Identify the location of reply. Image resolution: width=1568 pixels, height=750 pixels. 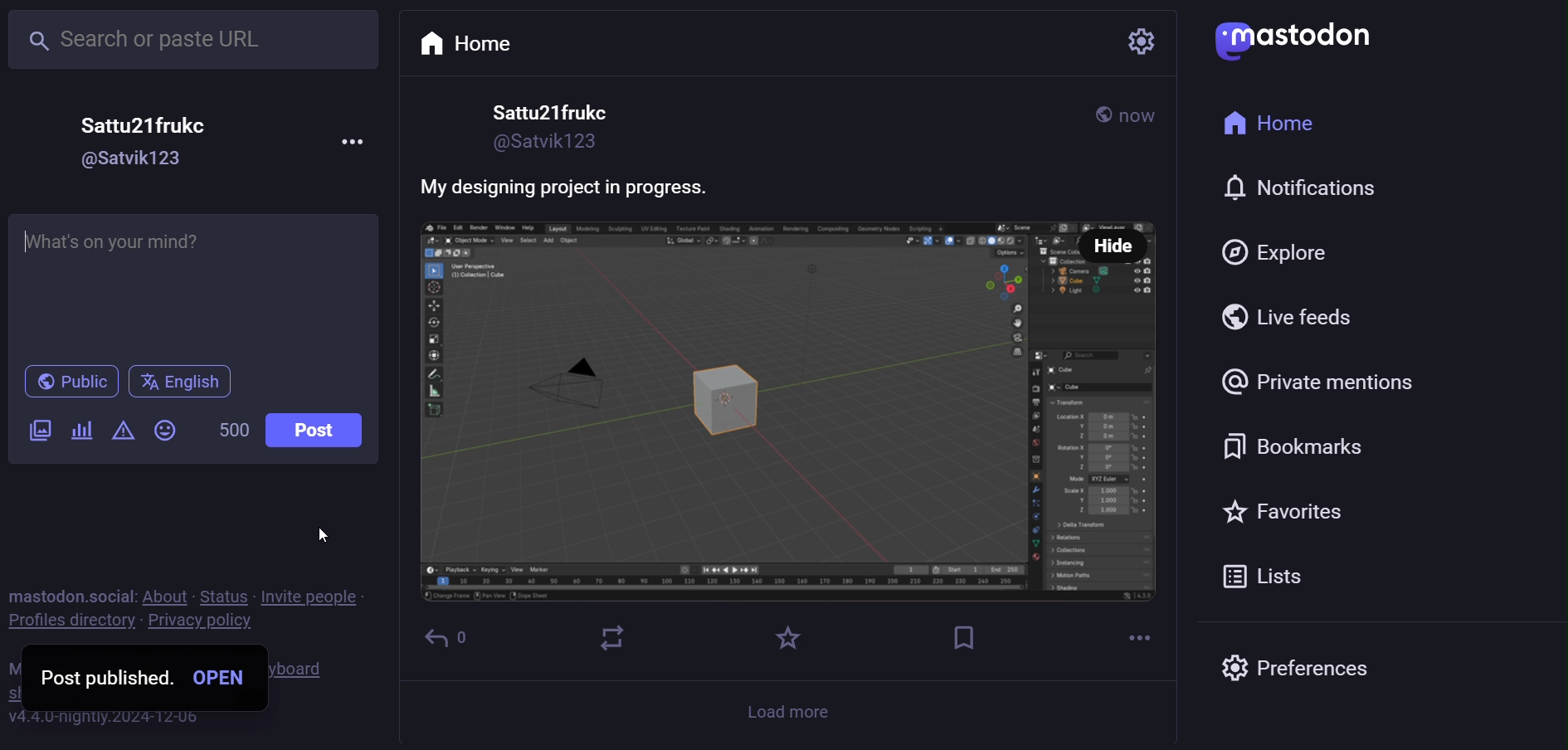
(443, 640).